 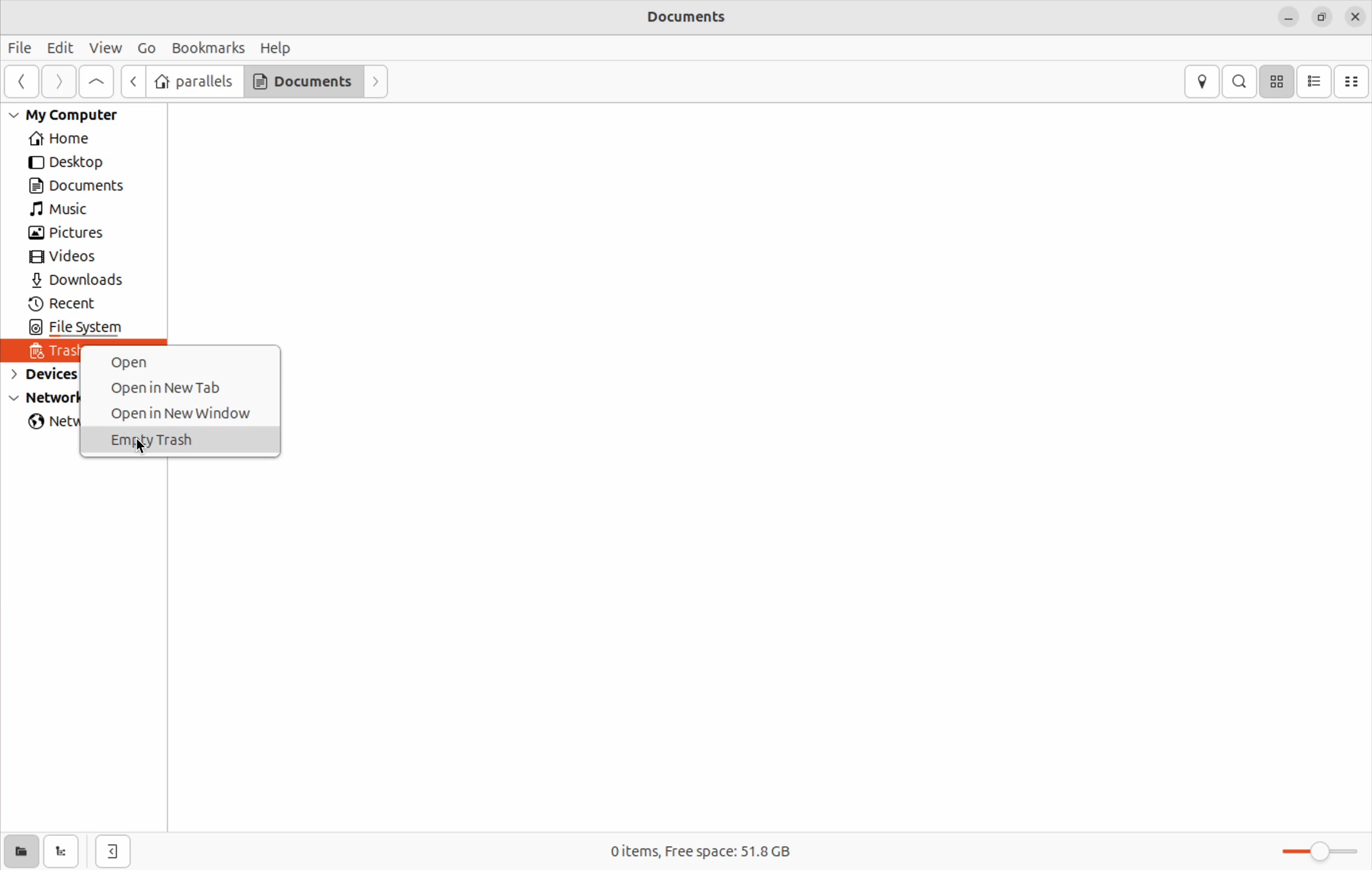 What do you see at coordinates (96, 81) in the screenshot?
I see `Go to first page` at bounding box center [96, 81].